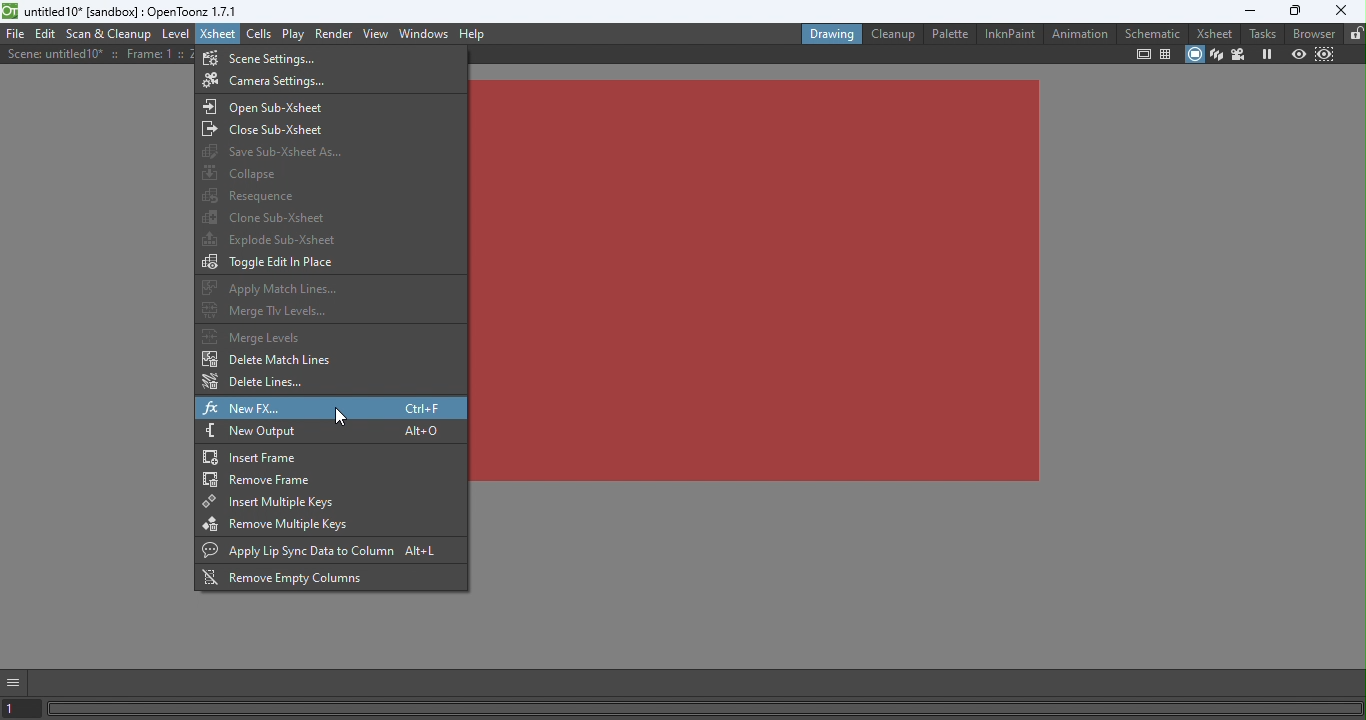 The image size is (1366, 720). Describe the element at coordinates (330, 431) in the screenshot. I see `New output` at that location.